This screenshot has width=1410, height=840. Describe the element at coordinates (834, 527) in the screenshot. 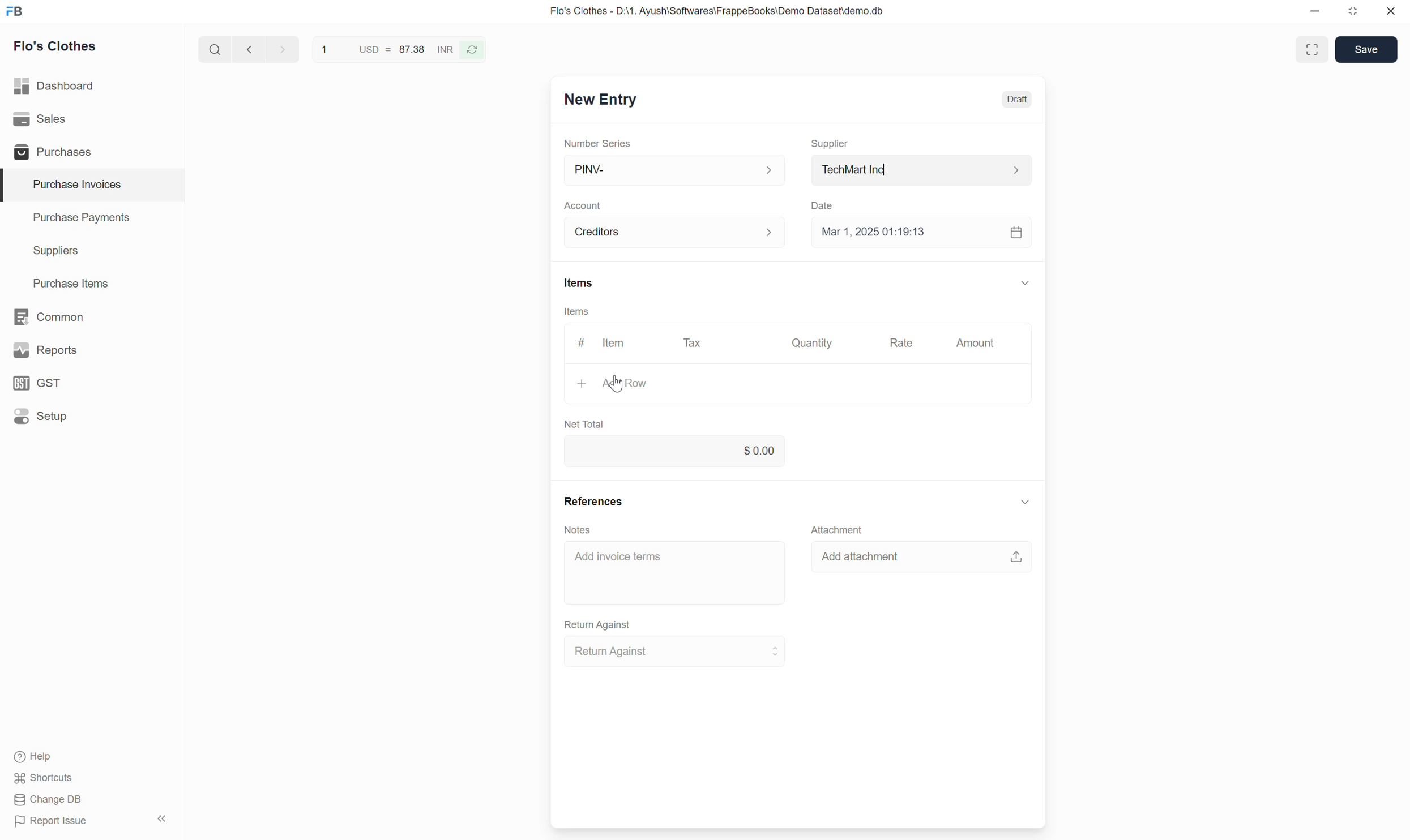

I see `Attachment` at that location.